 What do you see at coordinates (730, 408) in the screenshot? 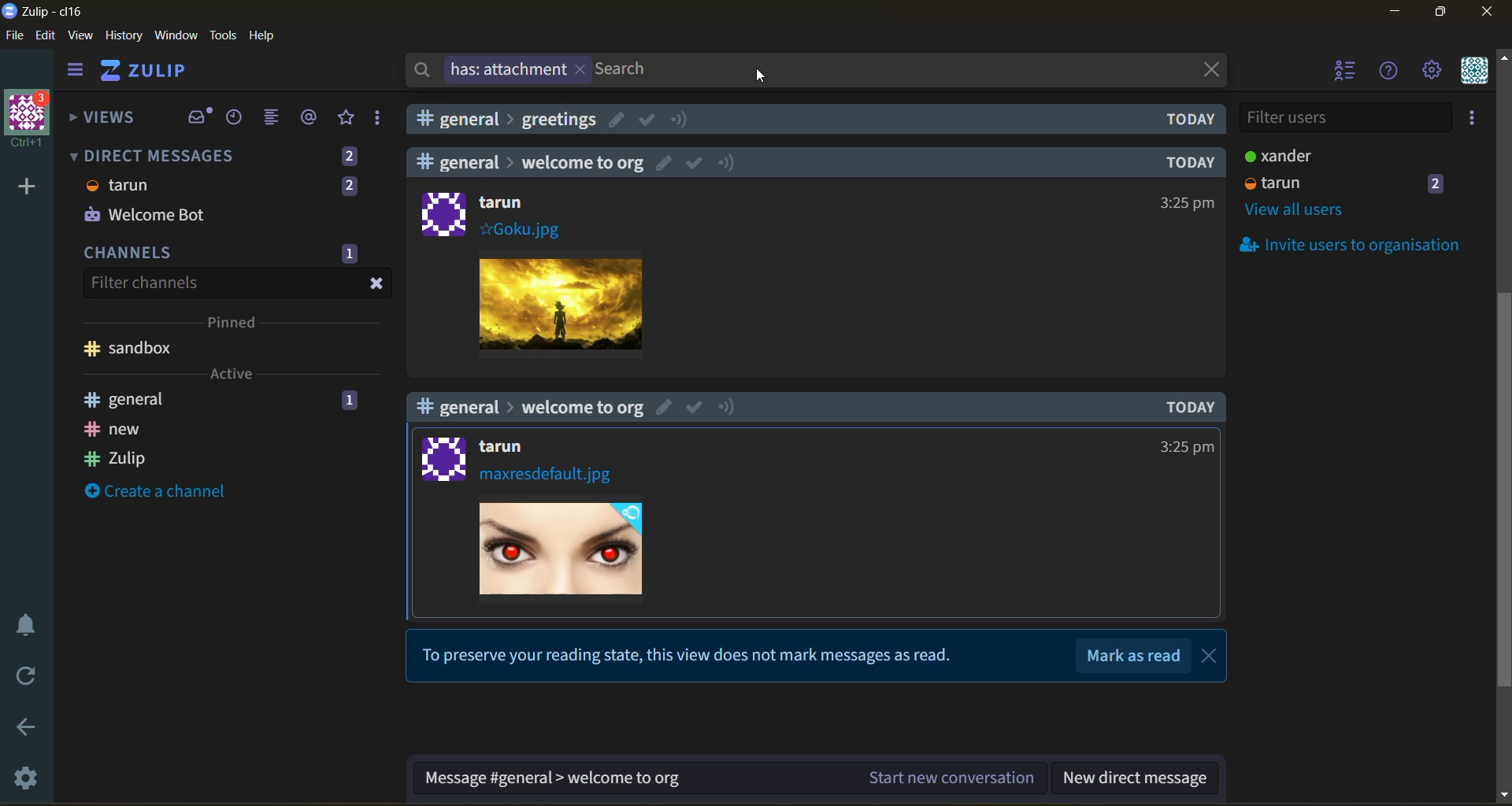
I see `notify` at bounding box center [730, 408].